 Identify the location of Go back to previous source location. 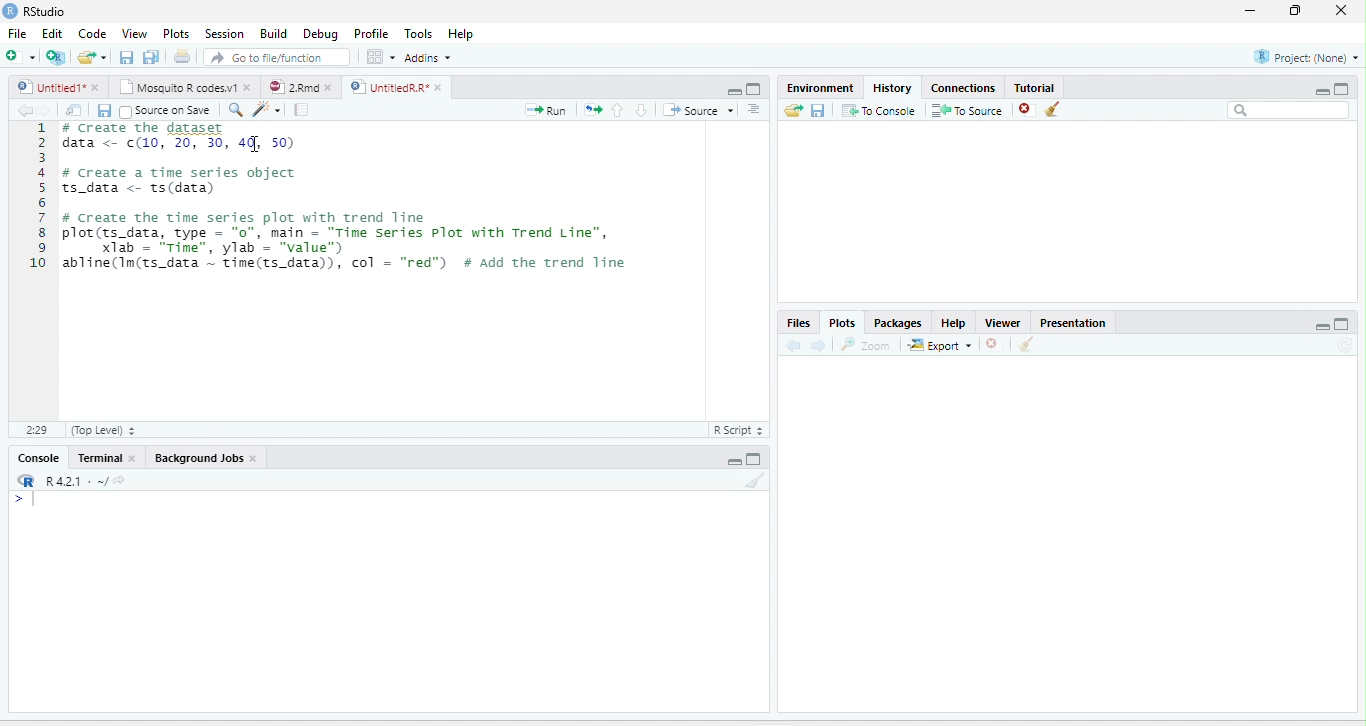
(22, 110).